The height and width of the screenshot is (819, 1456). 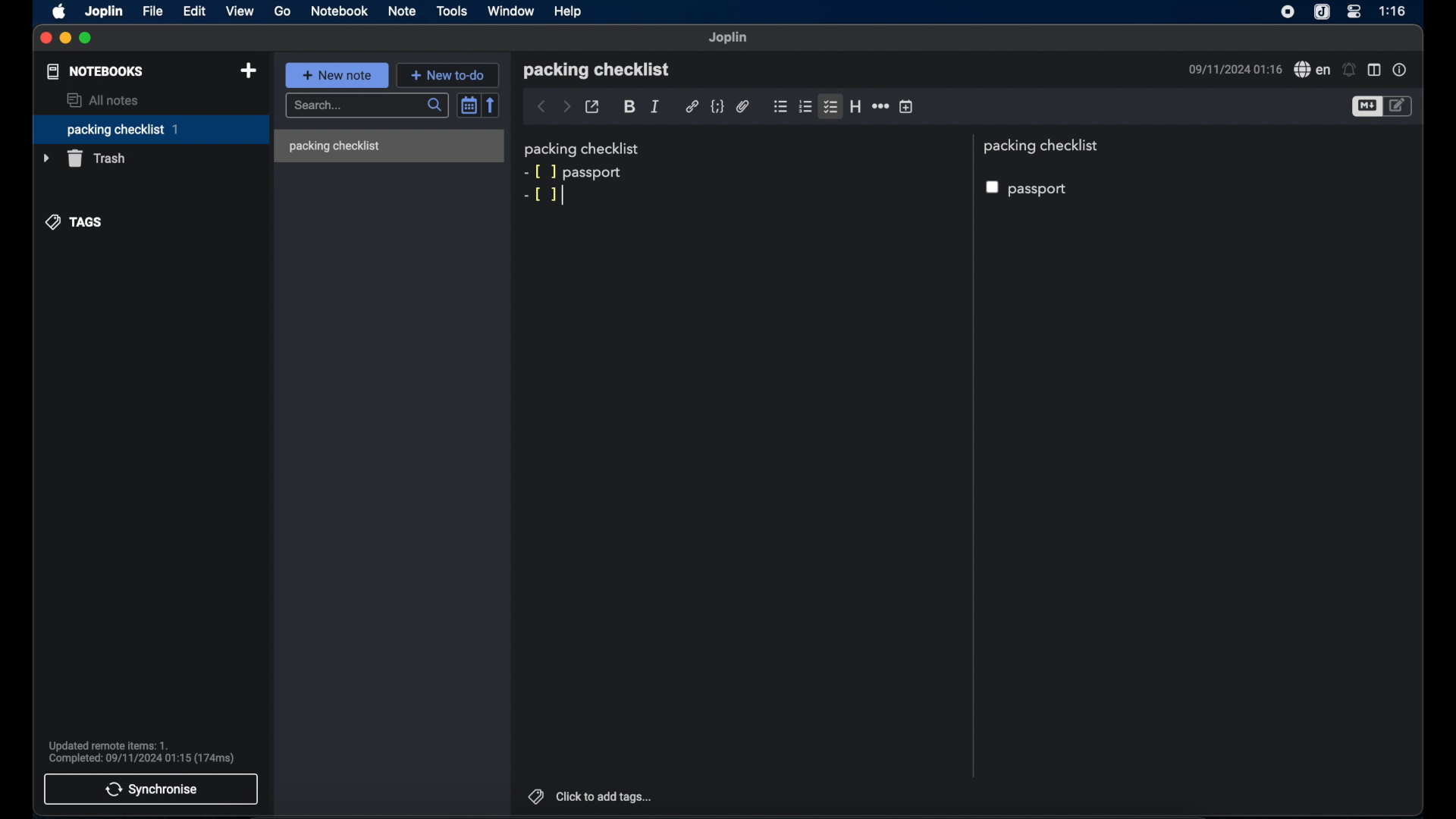 I want to click on window, so click(x=510, y=11).